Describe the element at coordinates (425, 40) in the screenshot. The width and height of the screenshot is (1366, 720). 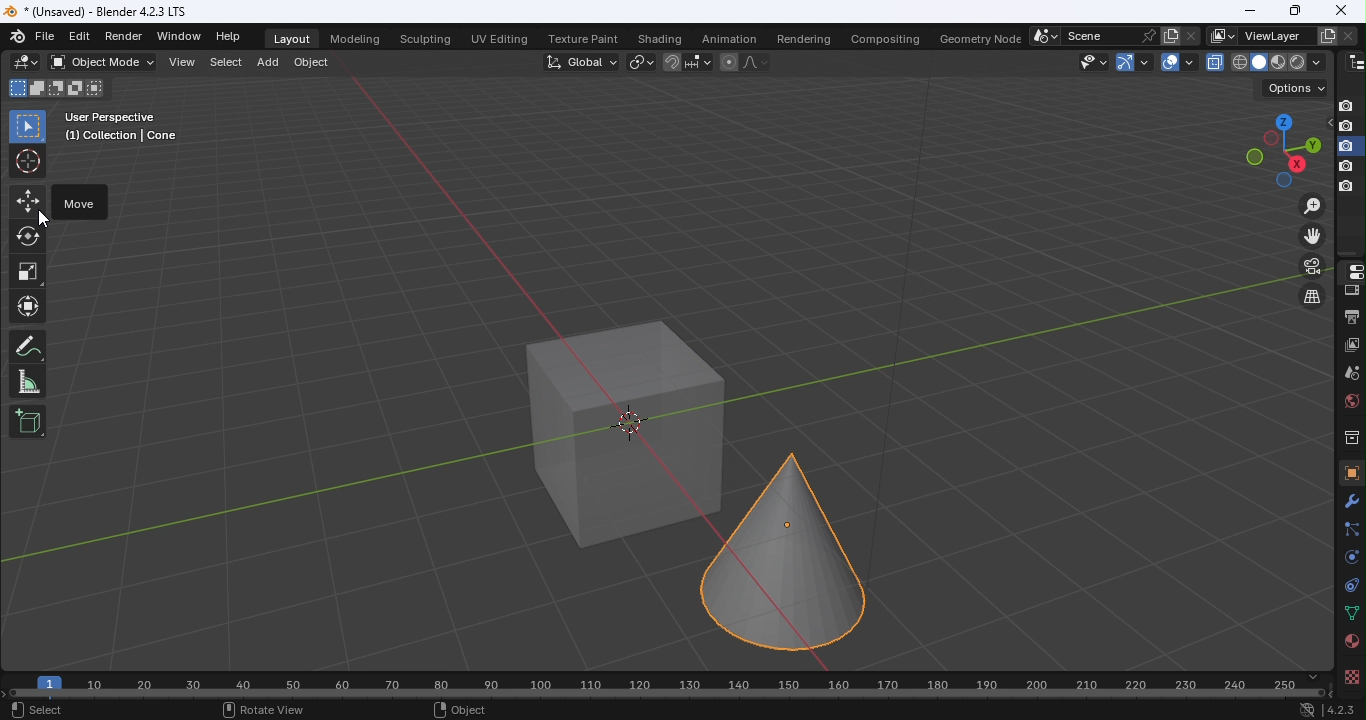
I see `Sculpting` at that location.